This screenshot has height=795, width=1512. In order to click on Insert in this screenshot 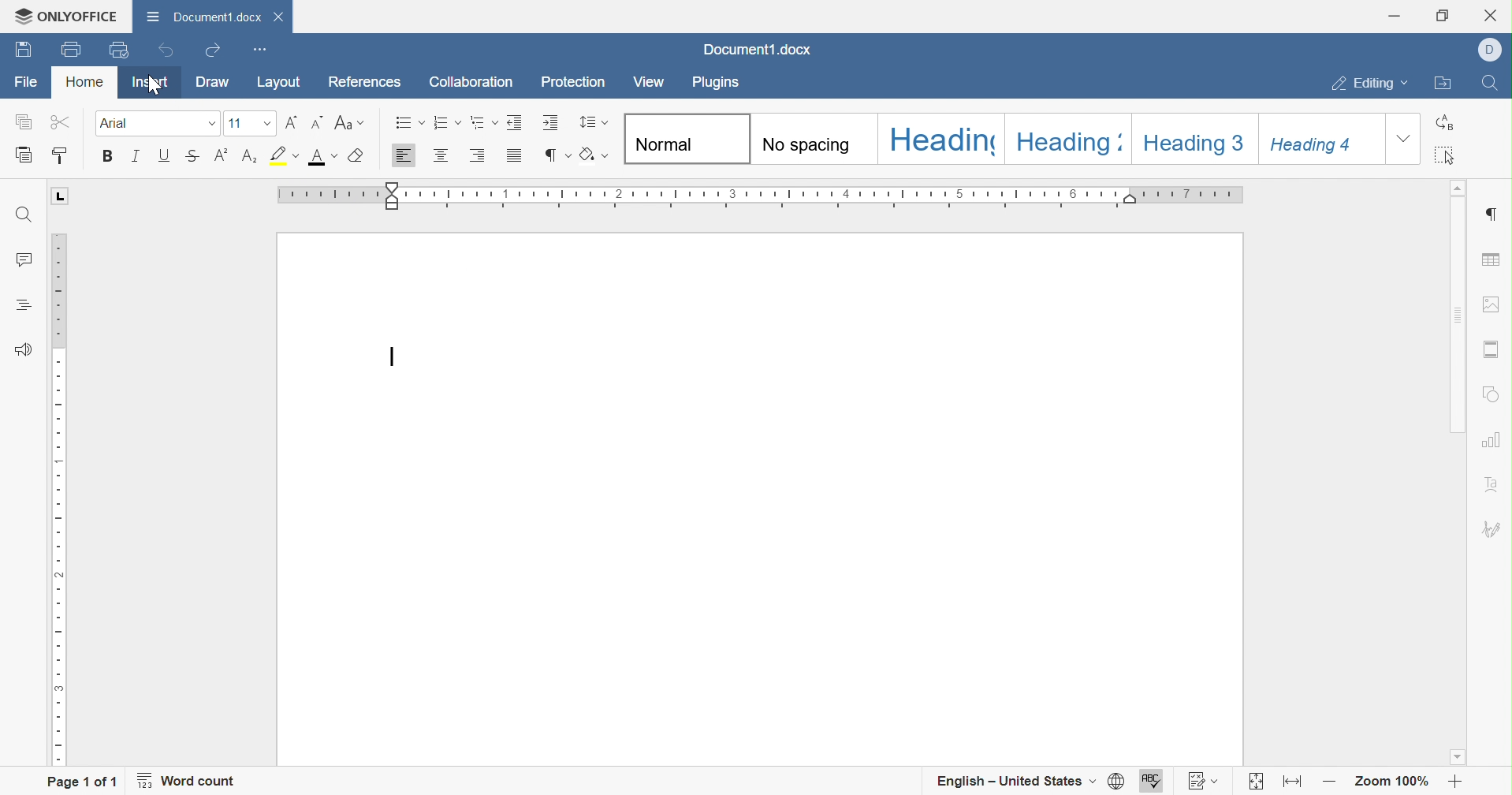, I will do `click(153, 83)`.